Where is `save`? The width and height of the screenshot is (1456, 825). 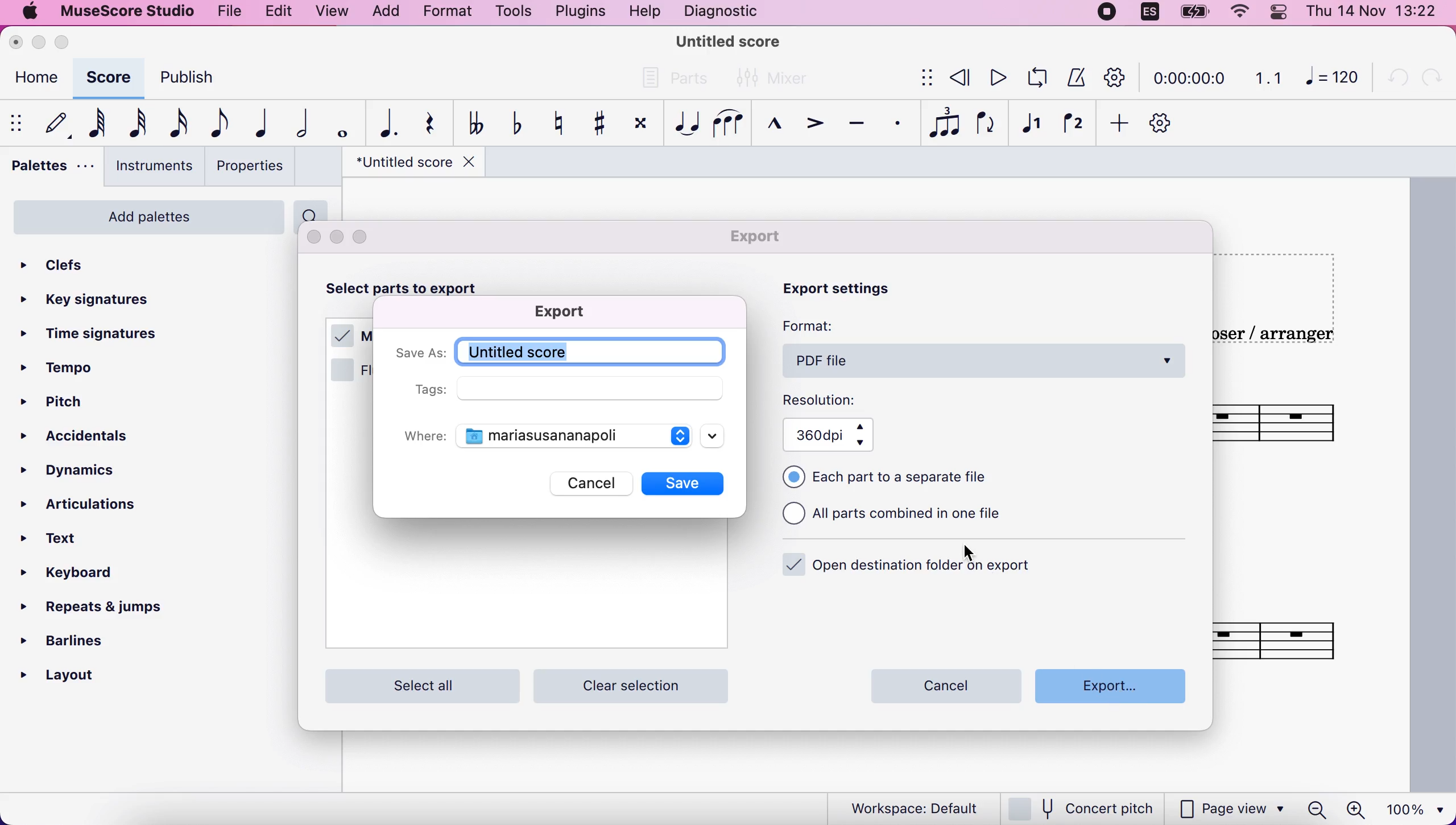
save is located at coordinates (686, 482).